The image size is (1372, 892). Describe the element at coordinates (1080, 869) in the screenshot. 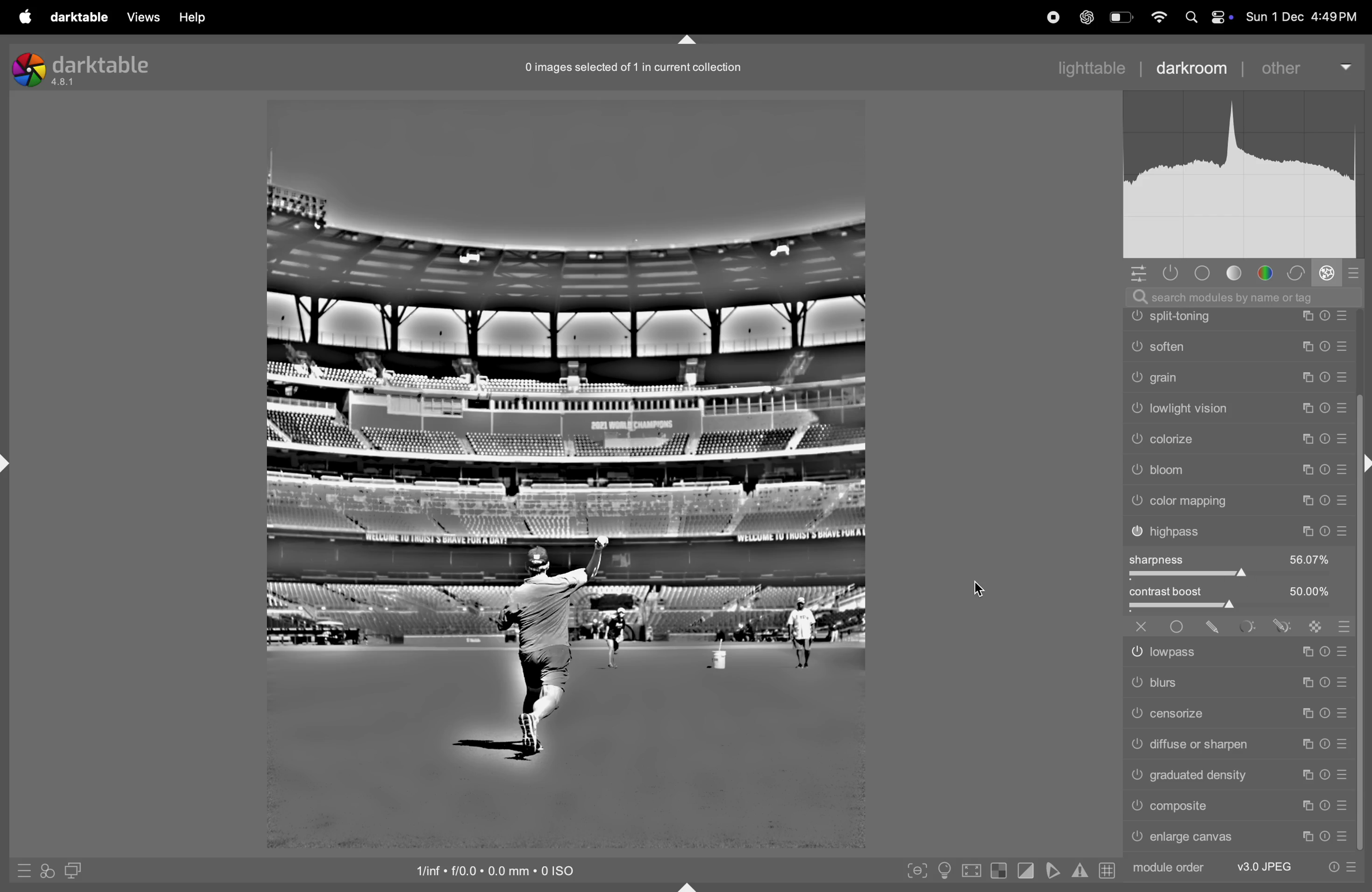

I see `toggle gamut checking` at that location.